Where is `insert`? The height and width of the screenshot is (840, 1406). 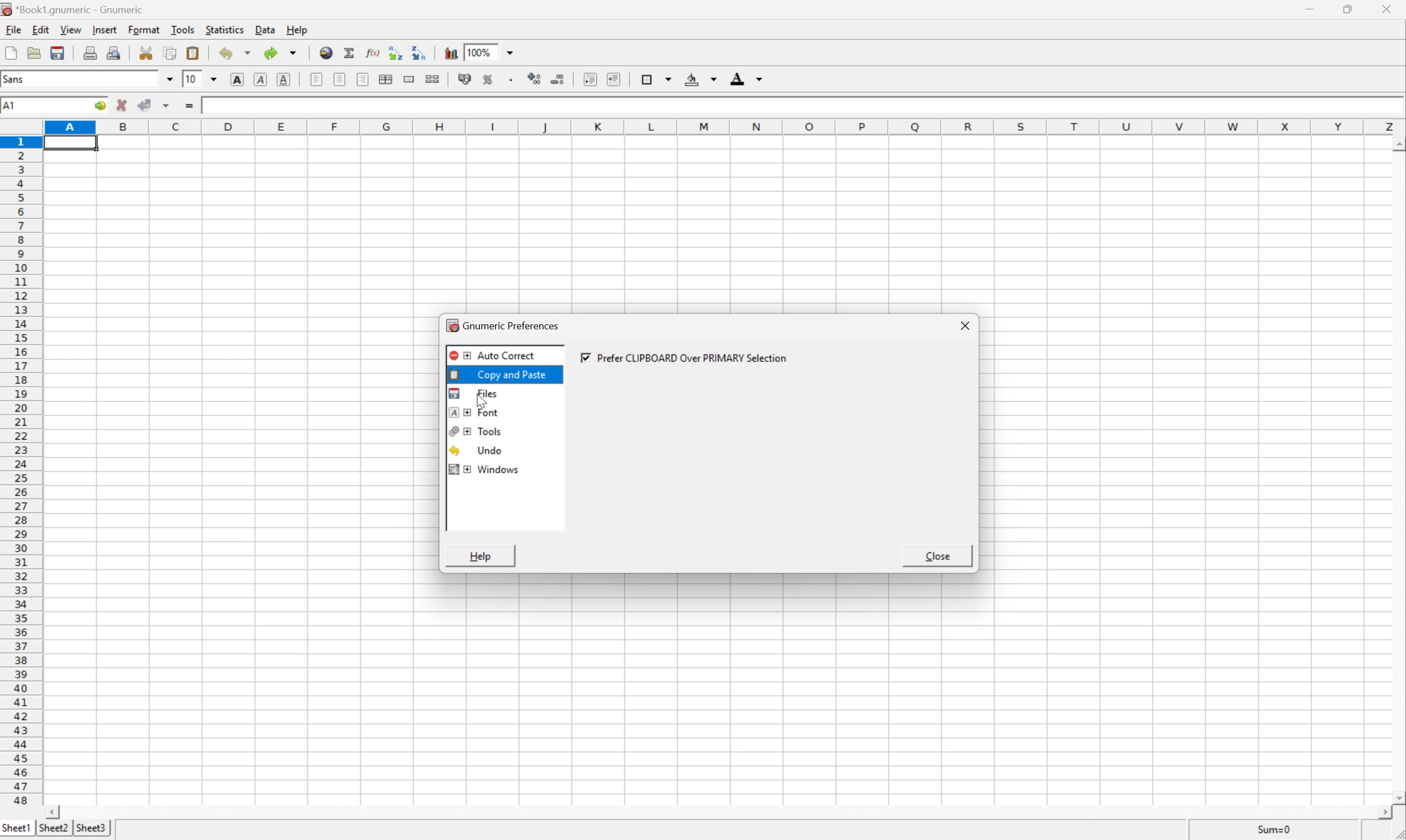 insert is located at coordinates (105, 31).